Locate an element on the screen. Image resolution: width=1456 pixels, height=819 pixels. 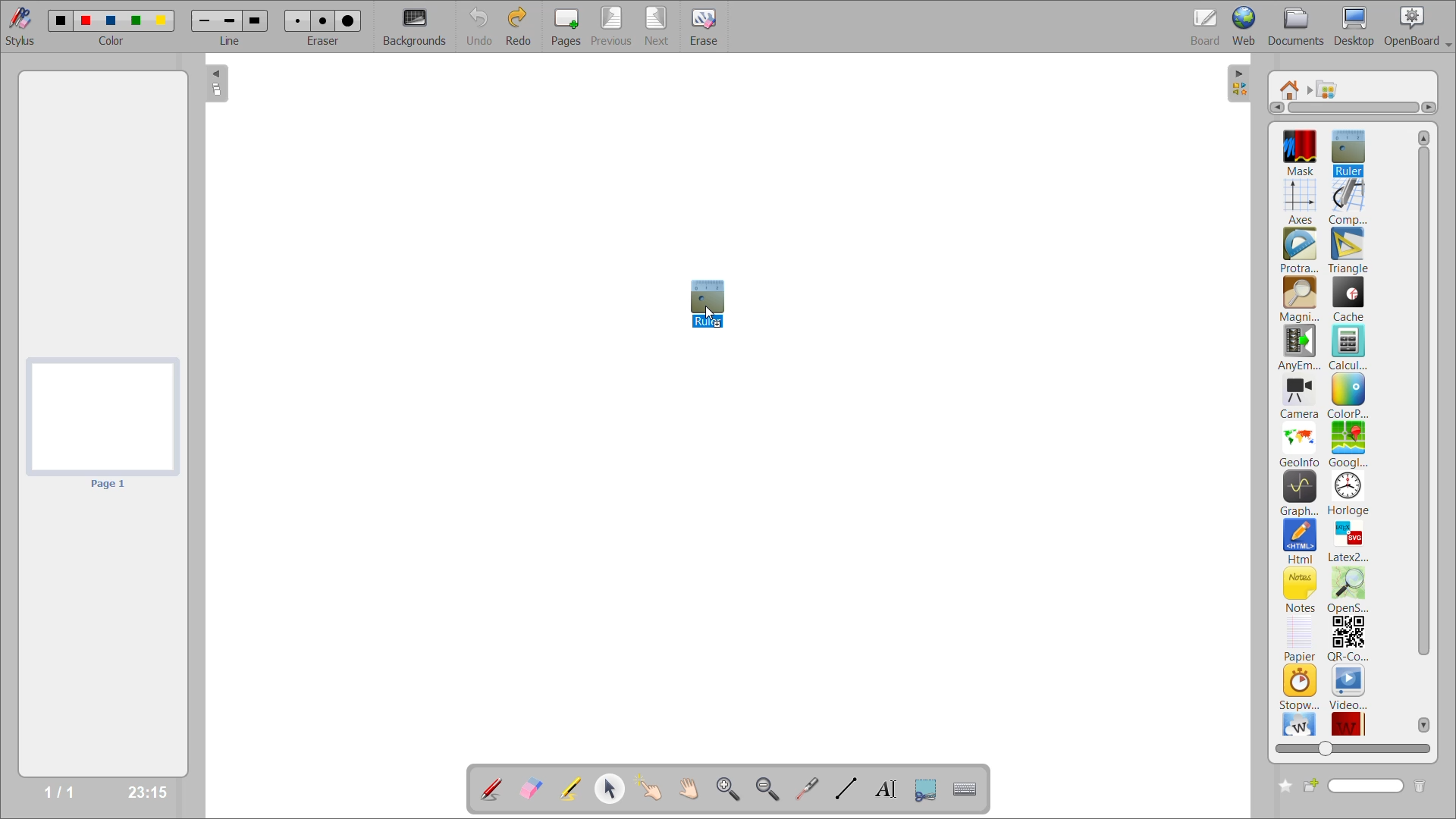
display virtual keyboard is located at coordinates (968, 789).